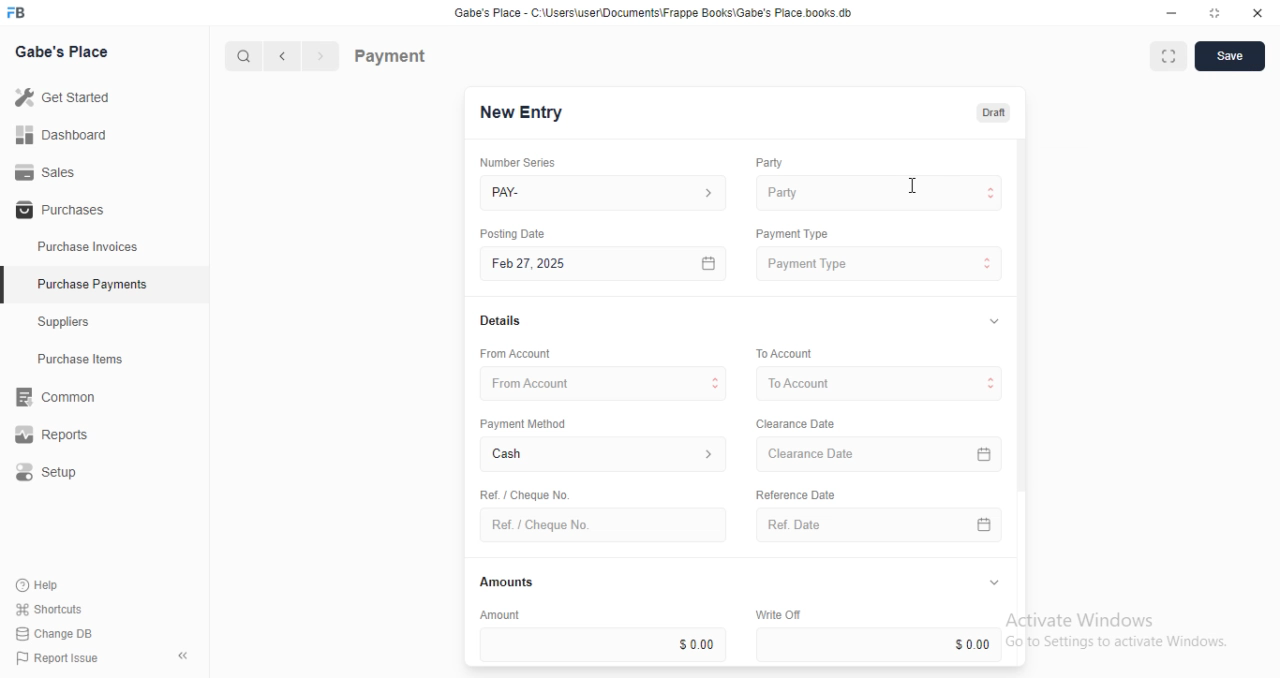 The height and width of the screenshot is (678, 1280). I want to click on Payment Type, so click(790, 234).